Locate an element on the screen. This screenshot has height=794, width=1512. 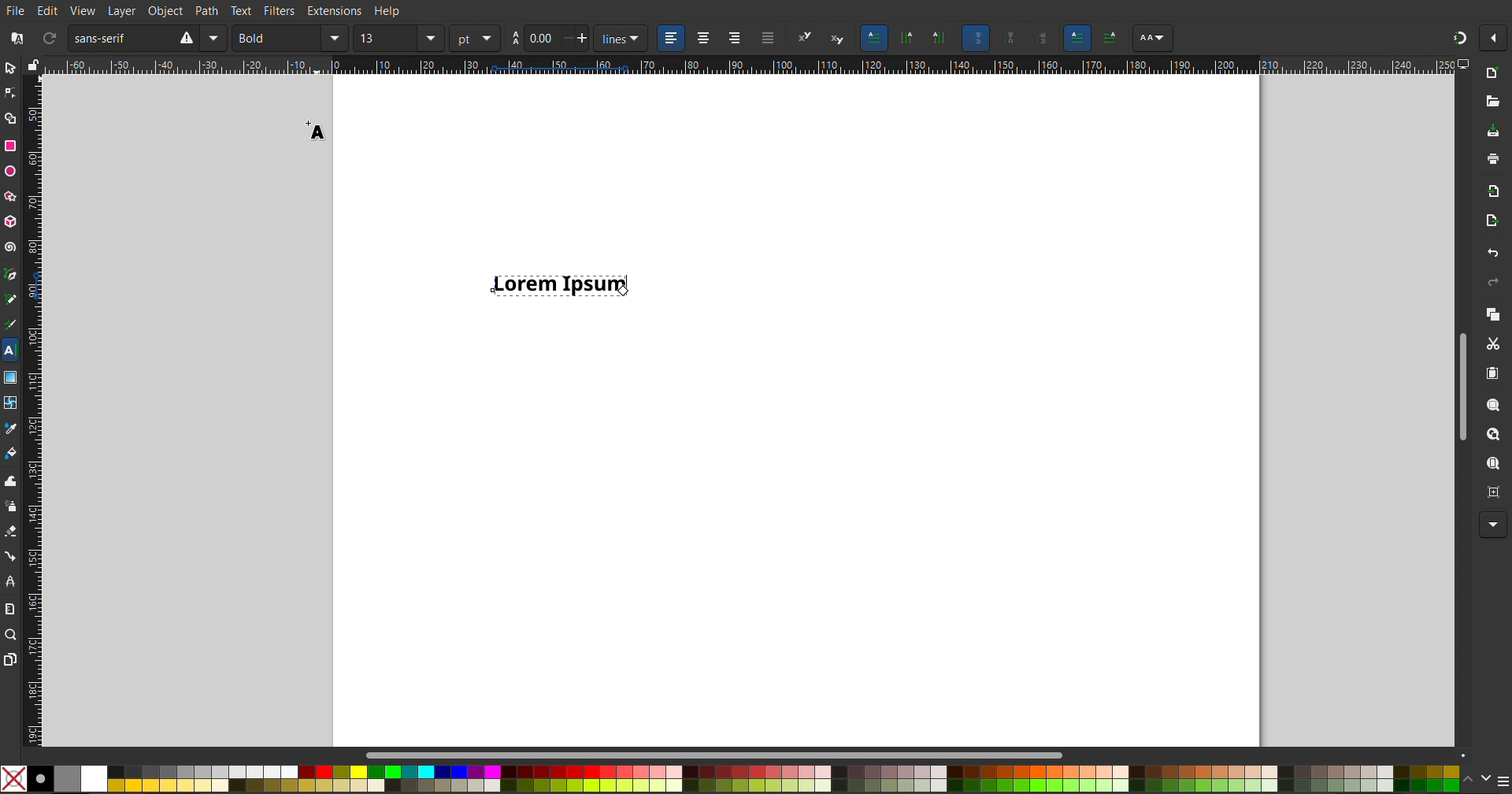
Select Font Collections is located at coordinates (15, 39).